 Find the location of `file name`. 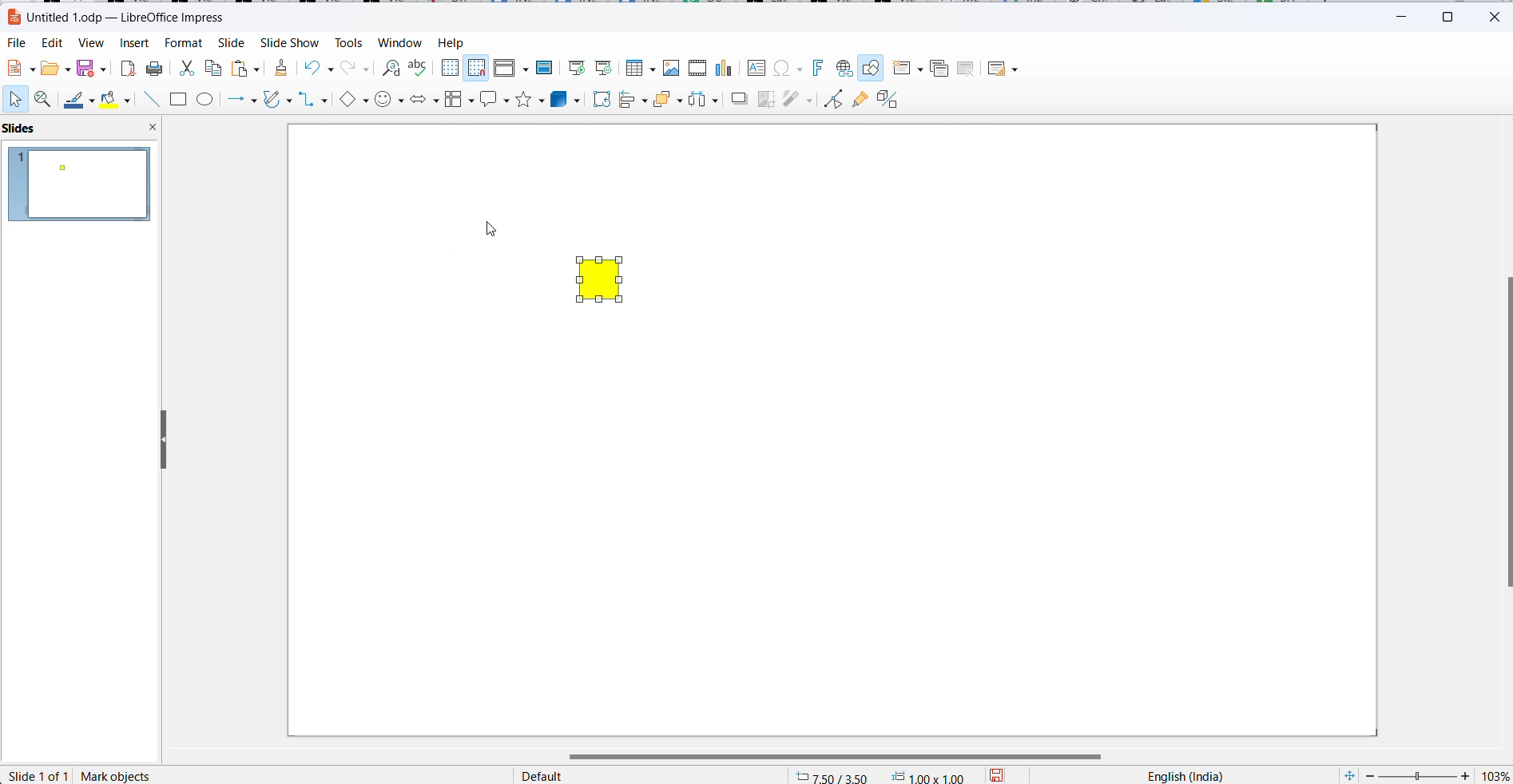

file name is located at coordinates (117, 16).